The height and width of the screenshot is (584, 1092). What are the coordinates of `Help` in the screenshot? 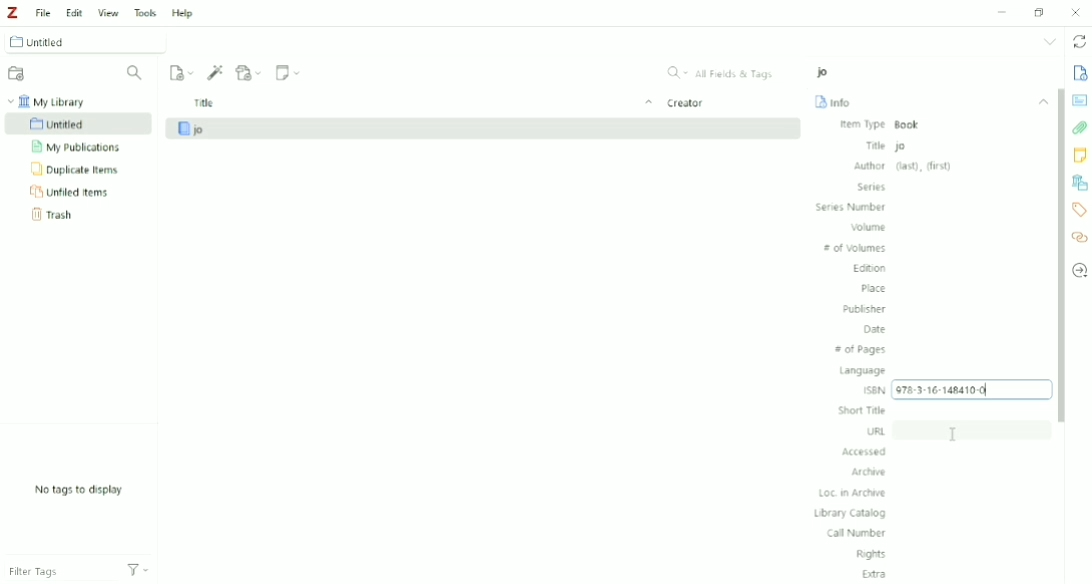 It's located at (184, 14).